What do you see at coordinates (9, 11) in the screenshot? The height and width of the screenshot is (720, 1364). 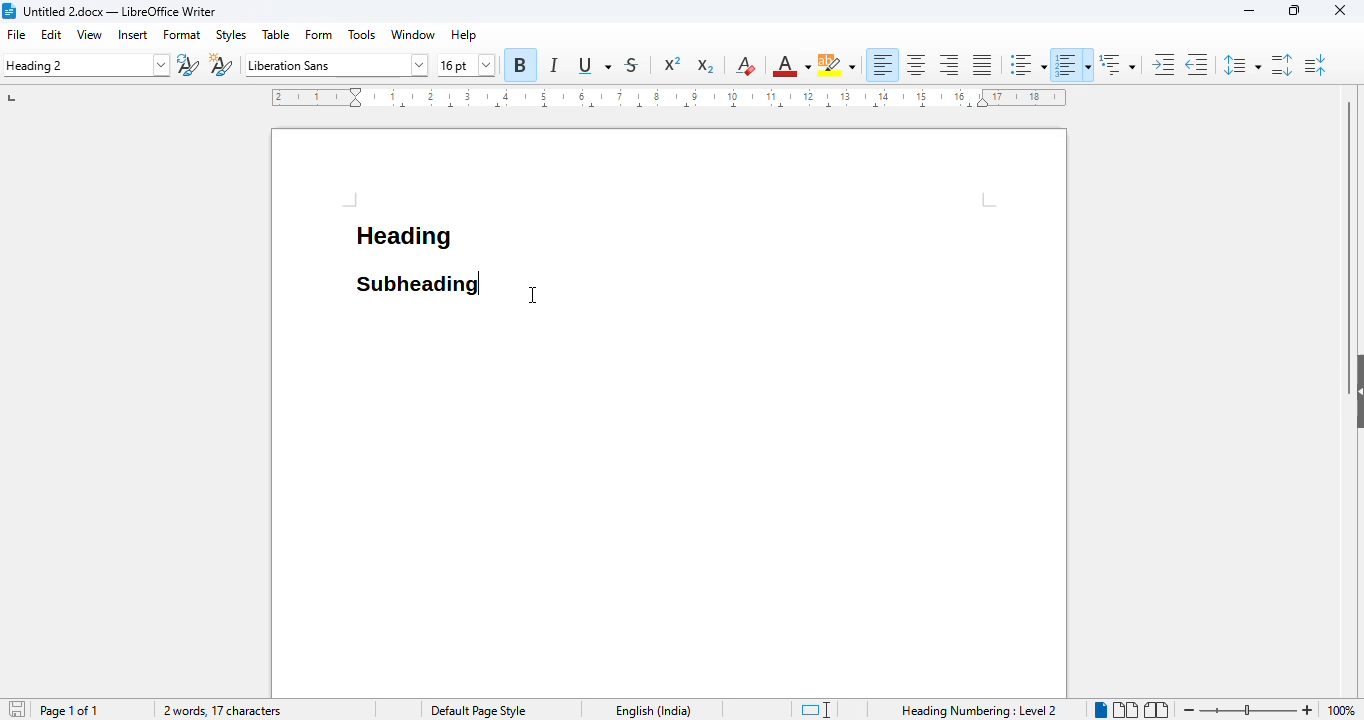 I see `logo` at bounding box center [9, 11].